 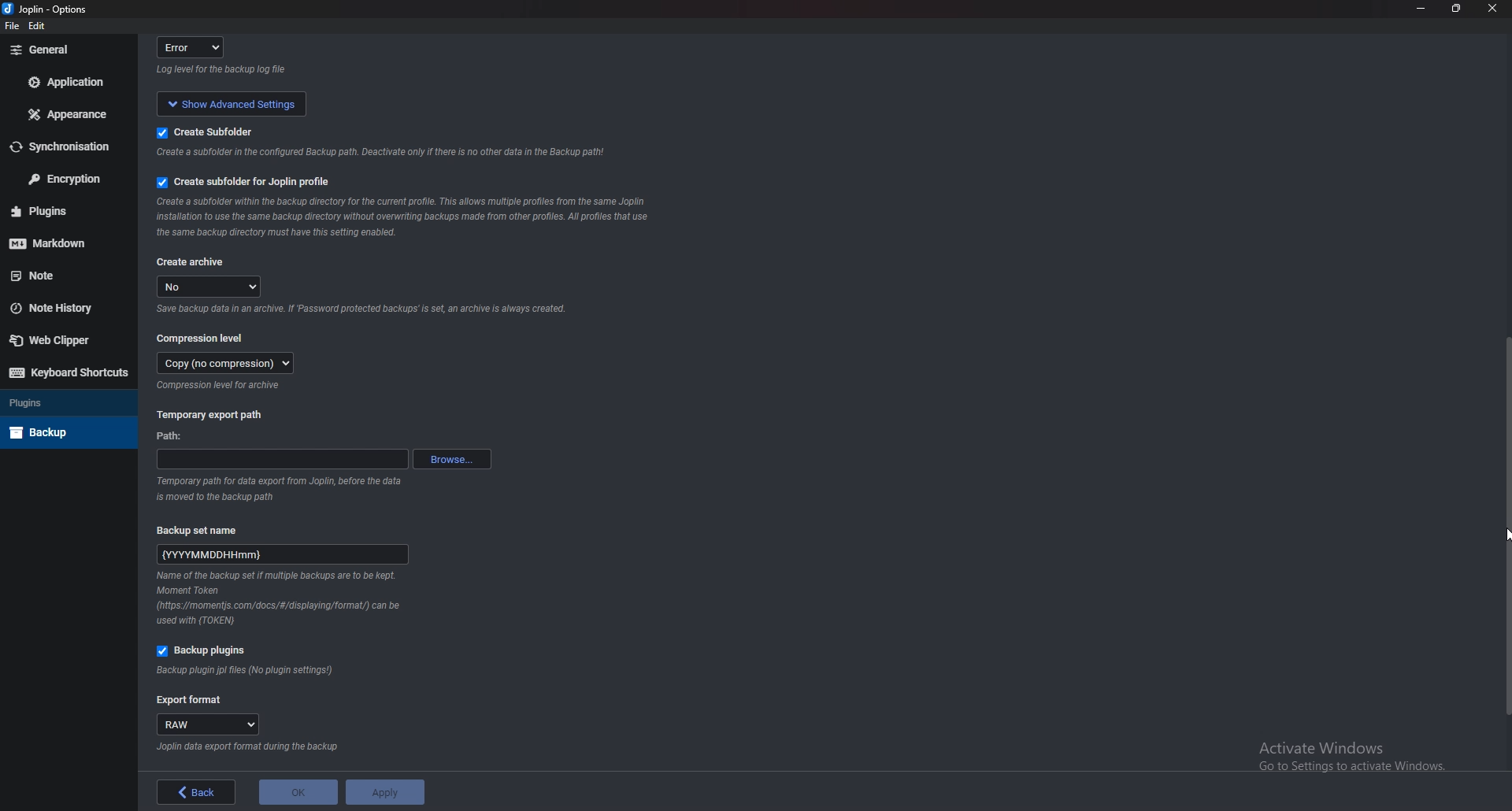 I want to click on path, so click(x=174, y=438).